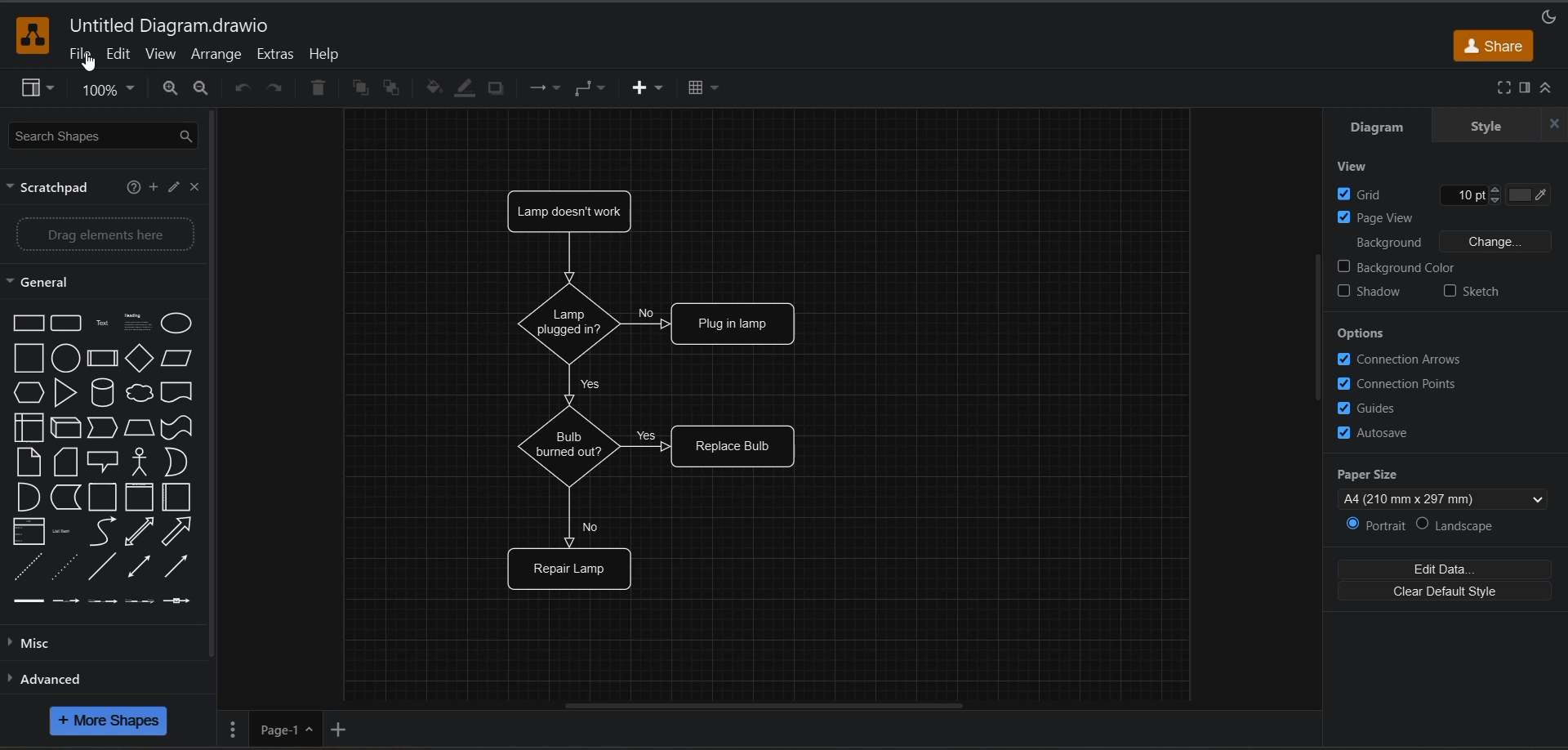 Image resolution: width=1568 pixels, height=750 pixels. I want to click on add page, so click(345, 730).